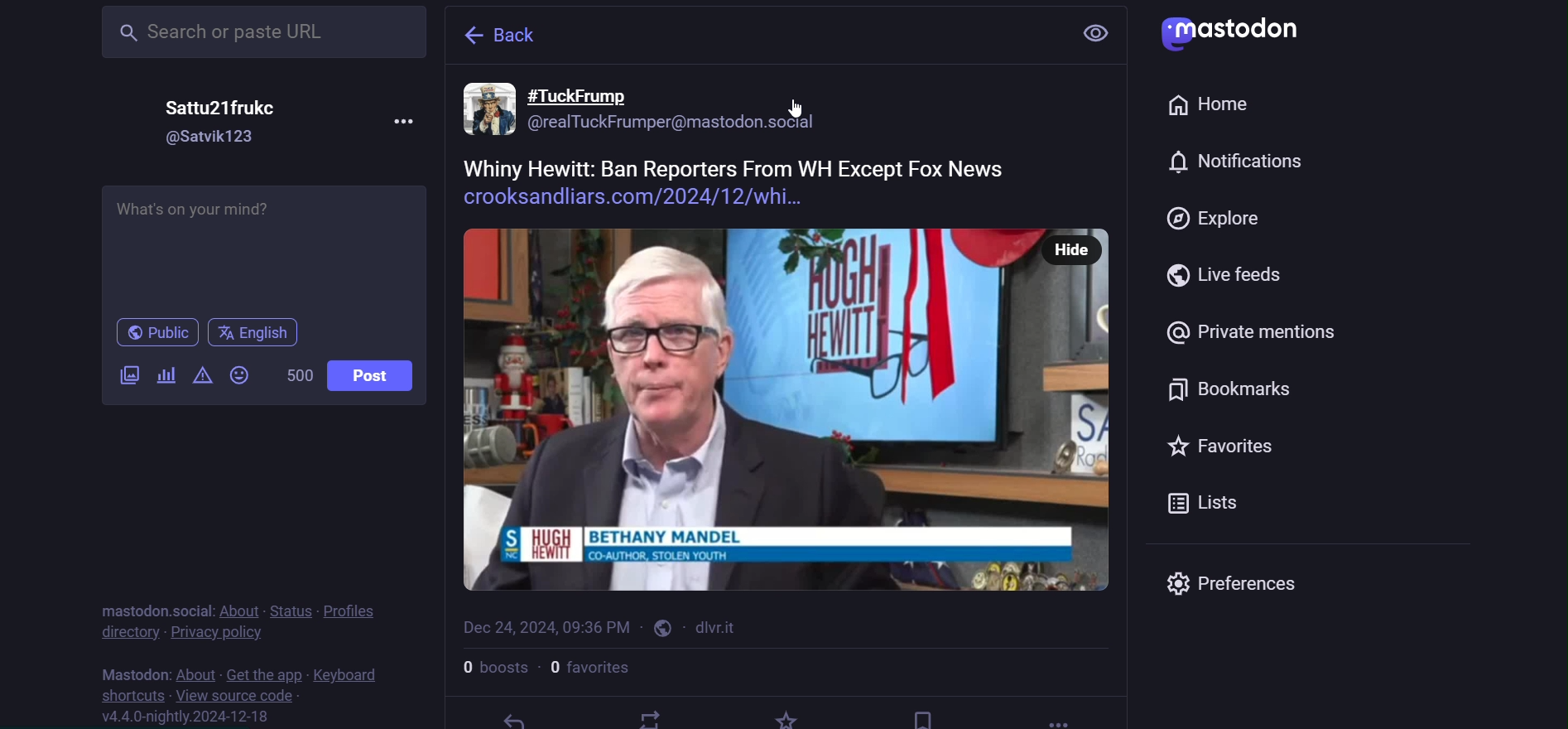 The image size is (1568, 729). Describe the element at coordinates (128, 633) in the screenshot. I see `directory` at that location.